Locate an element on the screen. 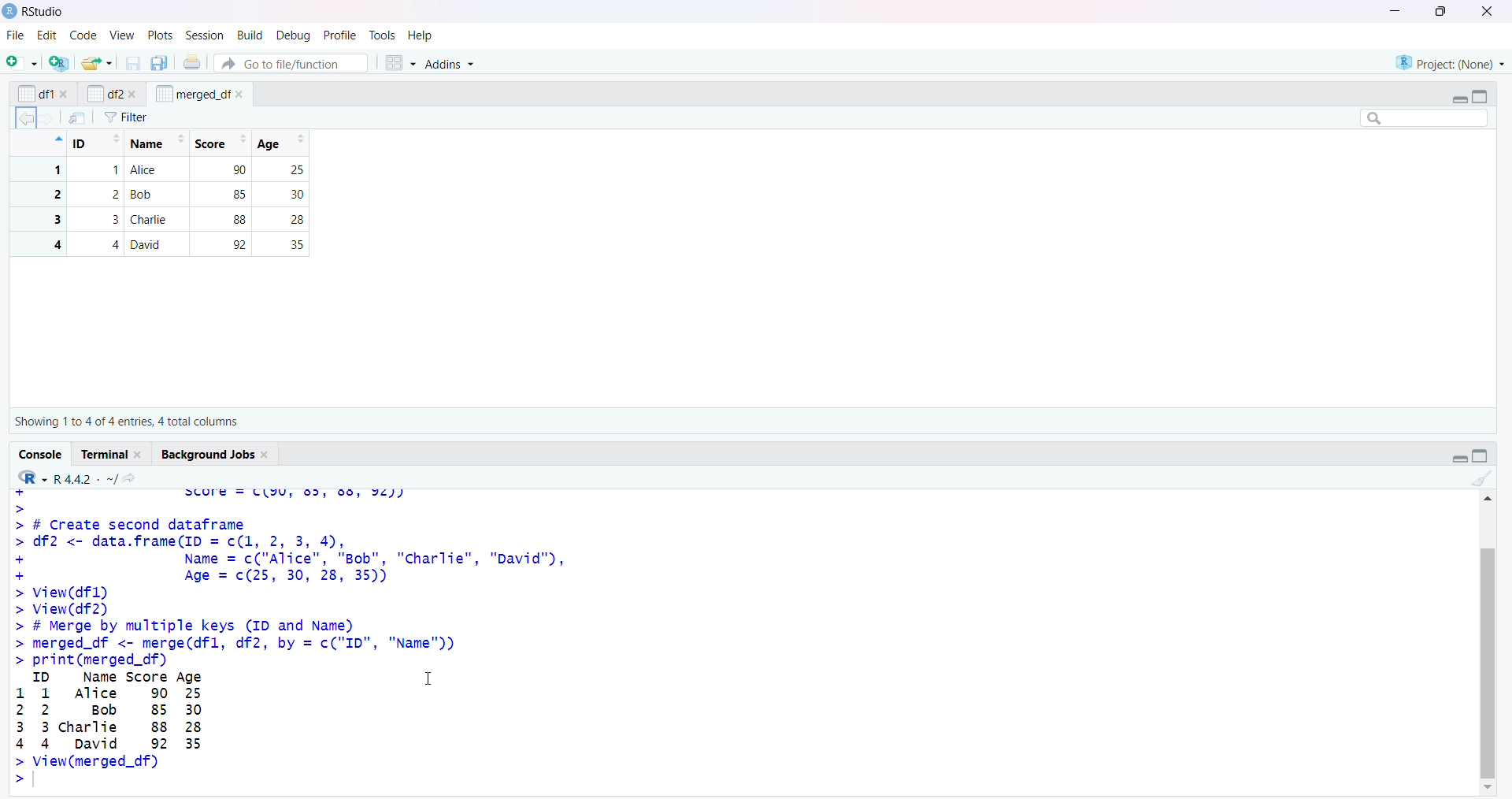 The image size is (1512, 799). view is located at coordinates (123, 36).